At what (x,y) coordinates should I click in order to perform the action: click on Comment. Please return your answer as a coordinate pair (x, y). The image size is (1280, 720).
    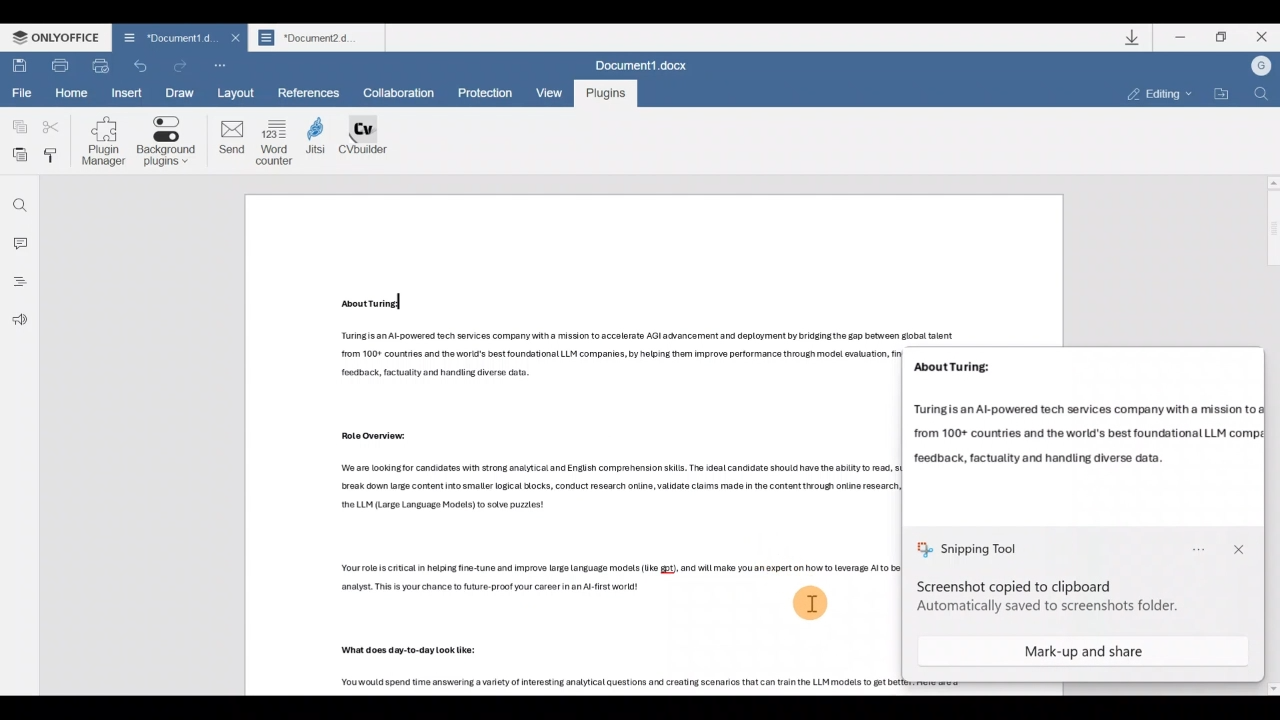
    Looking at the image, I should click on (18, 243).